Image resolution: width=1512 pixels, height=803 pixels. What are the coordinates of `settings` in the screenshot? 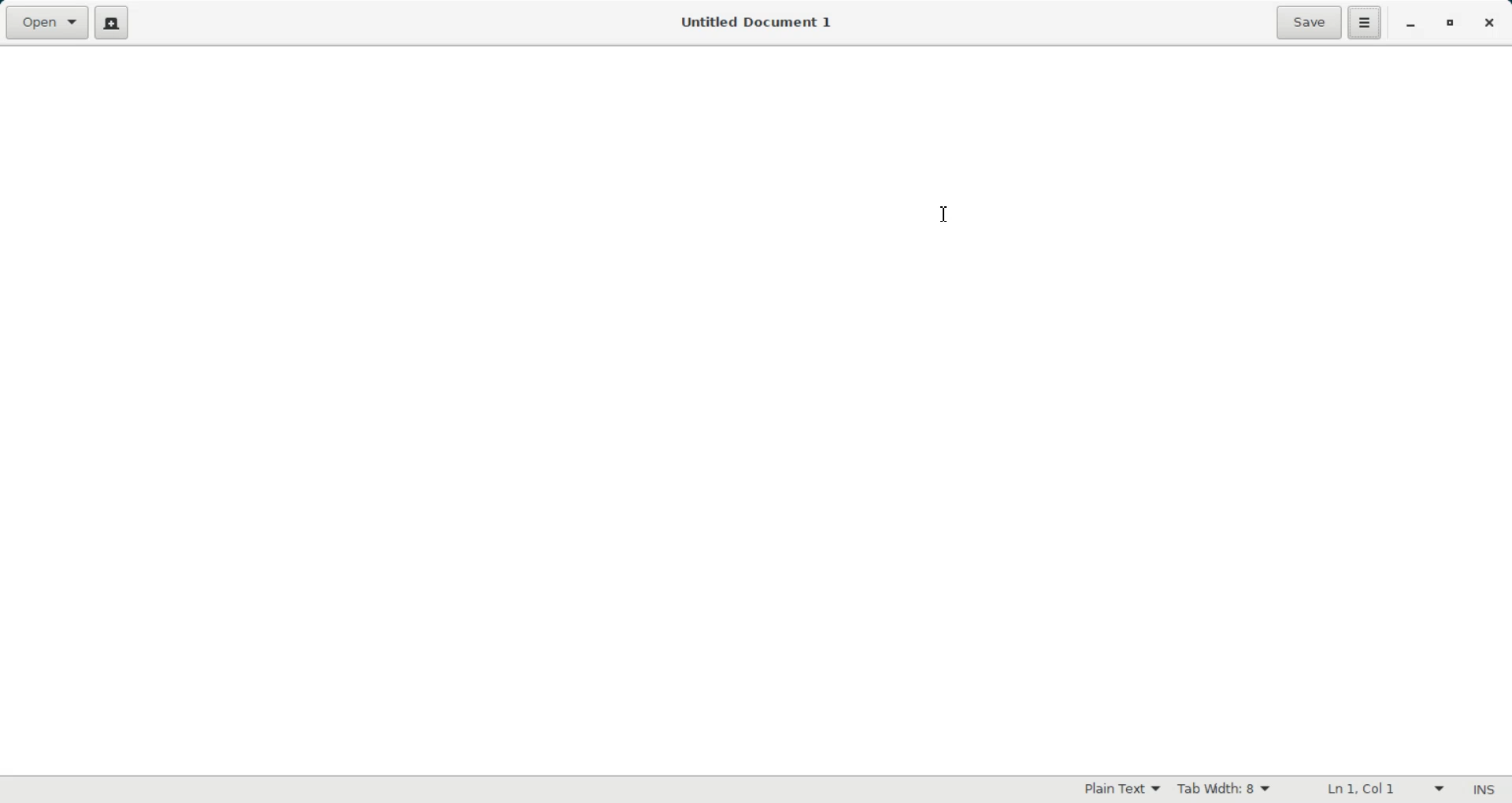 It's located at (1364, 24).